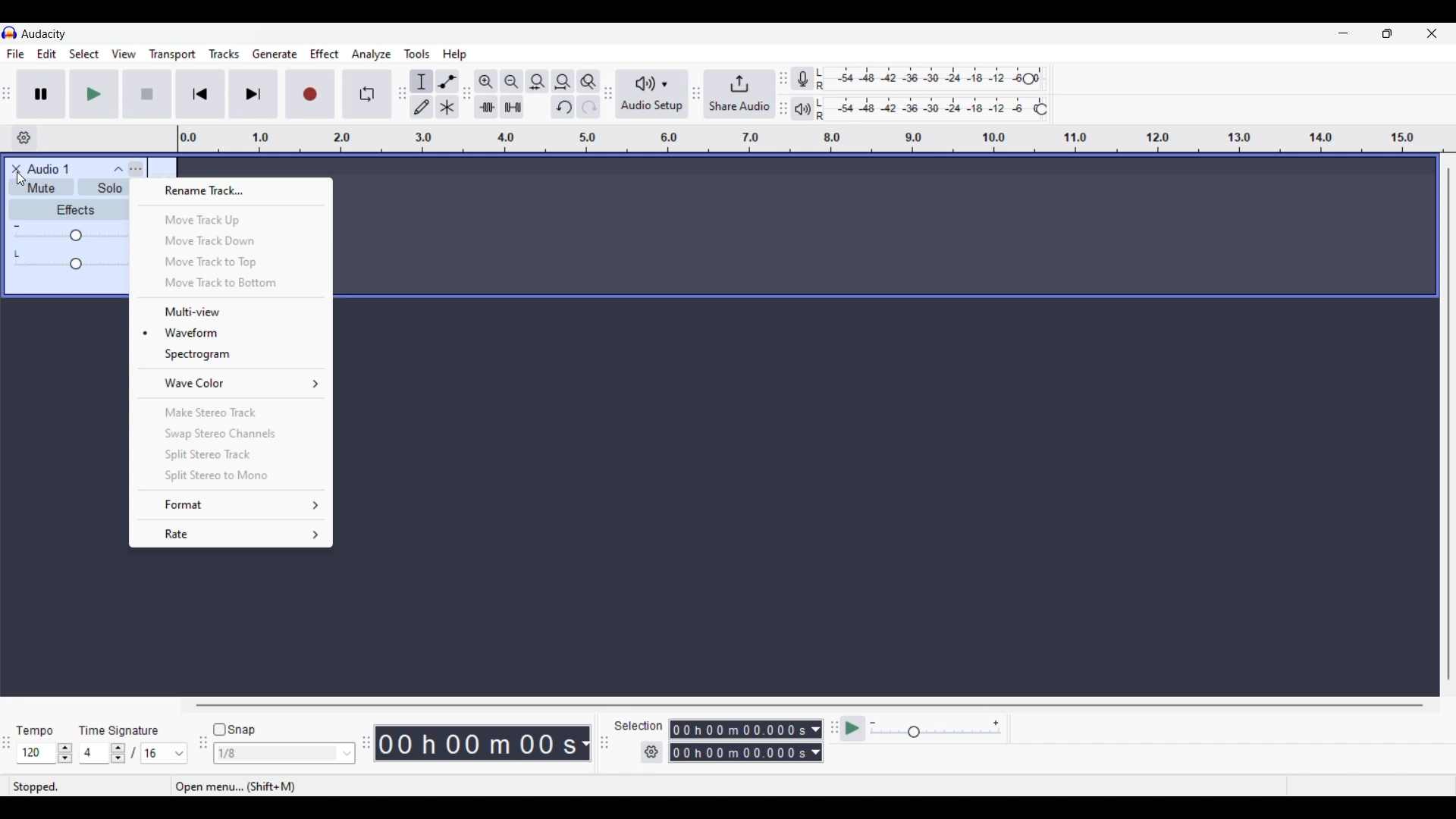 The width and height of the screenshot is (1456, 819). What do you see at coordinates (17, 224) in the screenshot?
I see `-` at bounding box center [17, 224].